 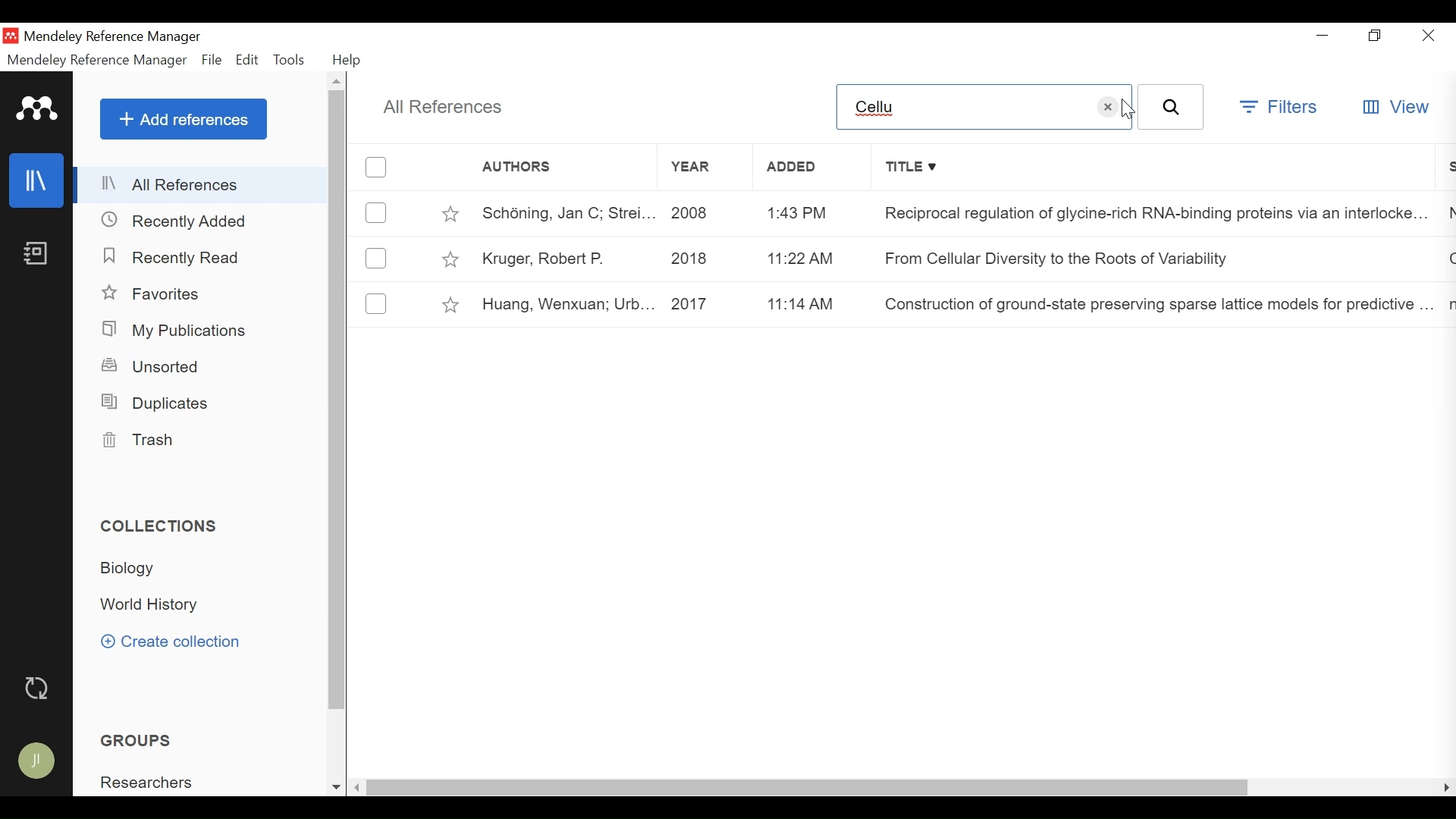 I want to click on Recently Read, so click(x=172, y=257).